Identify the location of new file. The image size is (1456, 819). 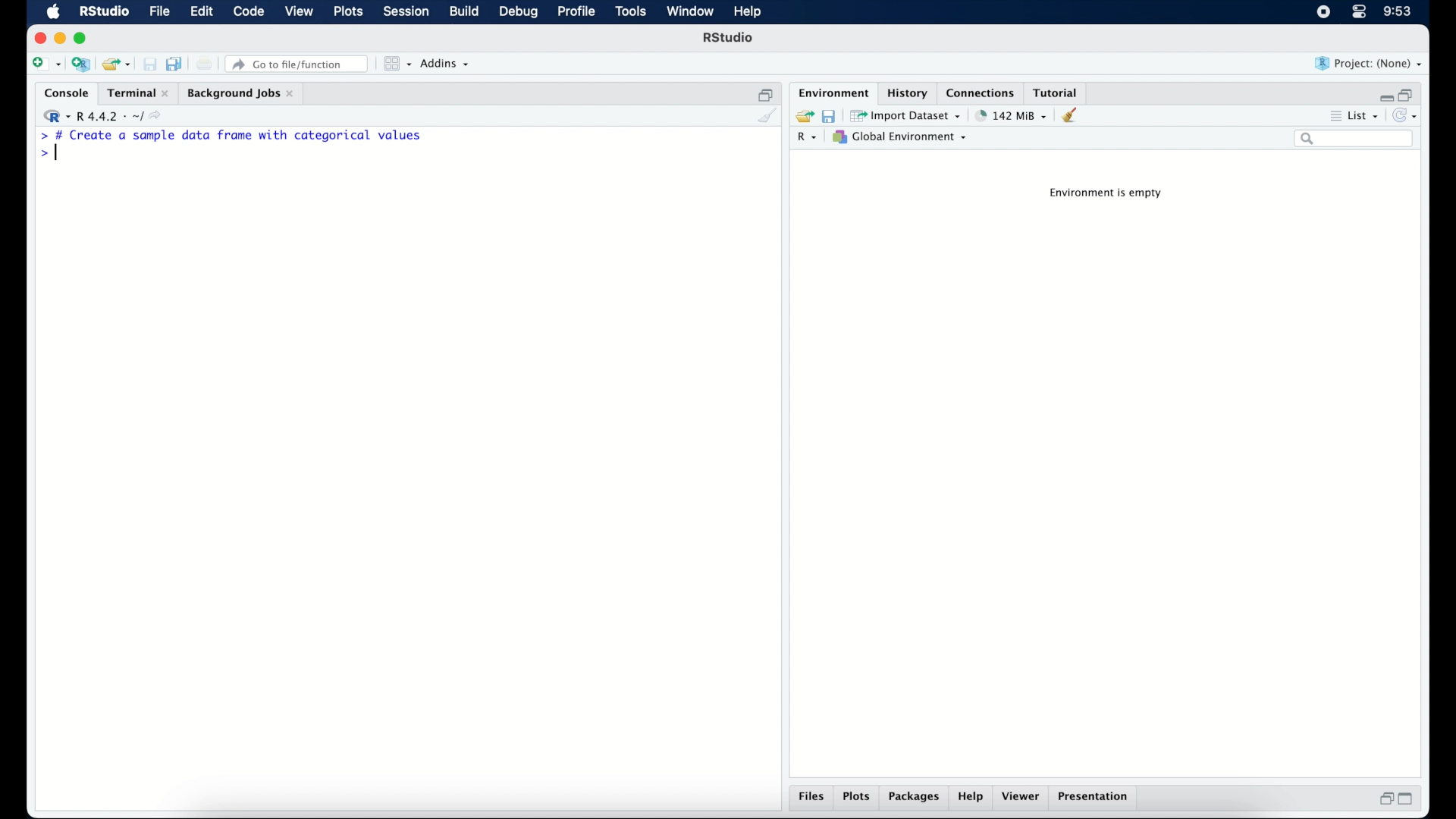
(45, 63).